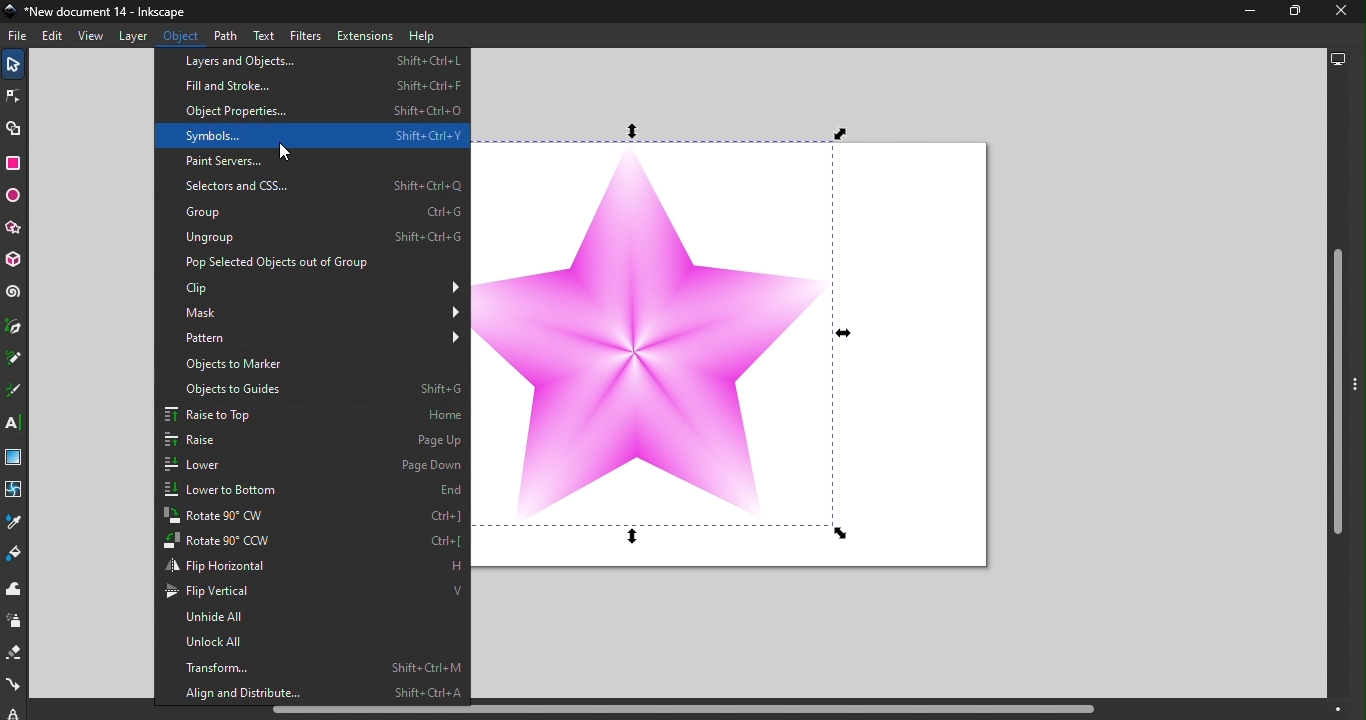 This screenshot has height=720, width=1366. What do you see at coordinates (691, 710) in the screenshot?
I see `Horizontal scroll bar` at bounding box center [691, 710].